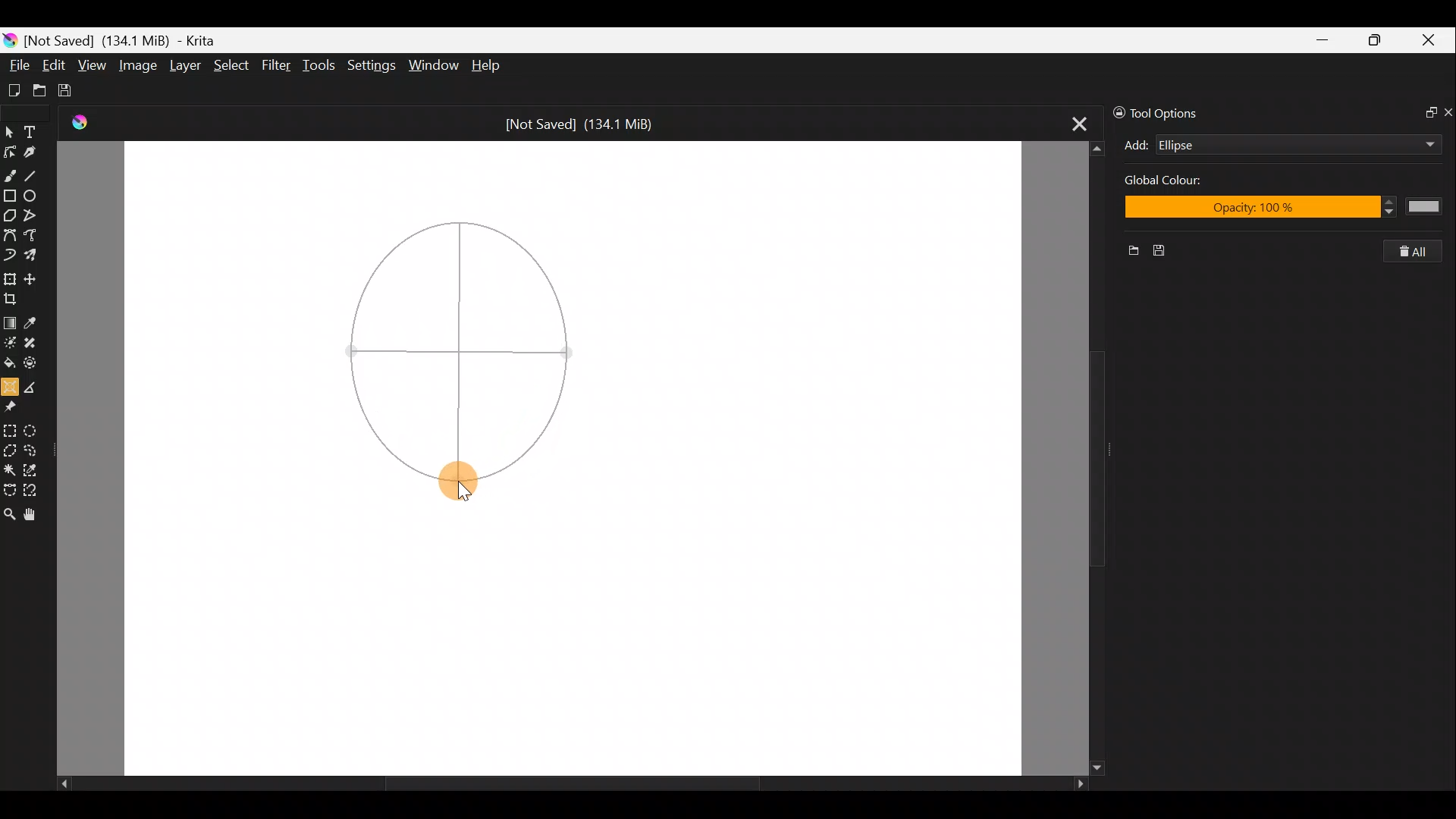 The height and width of the screenshot is (819, 1456). I want to click on Create new document, so click(13, 89).